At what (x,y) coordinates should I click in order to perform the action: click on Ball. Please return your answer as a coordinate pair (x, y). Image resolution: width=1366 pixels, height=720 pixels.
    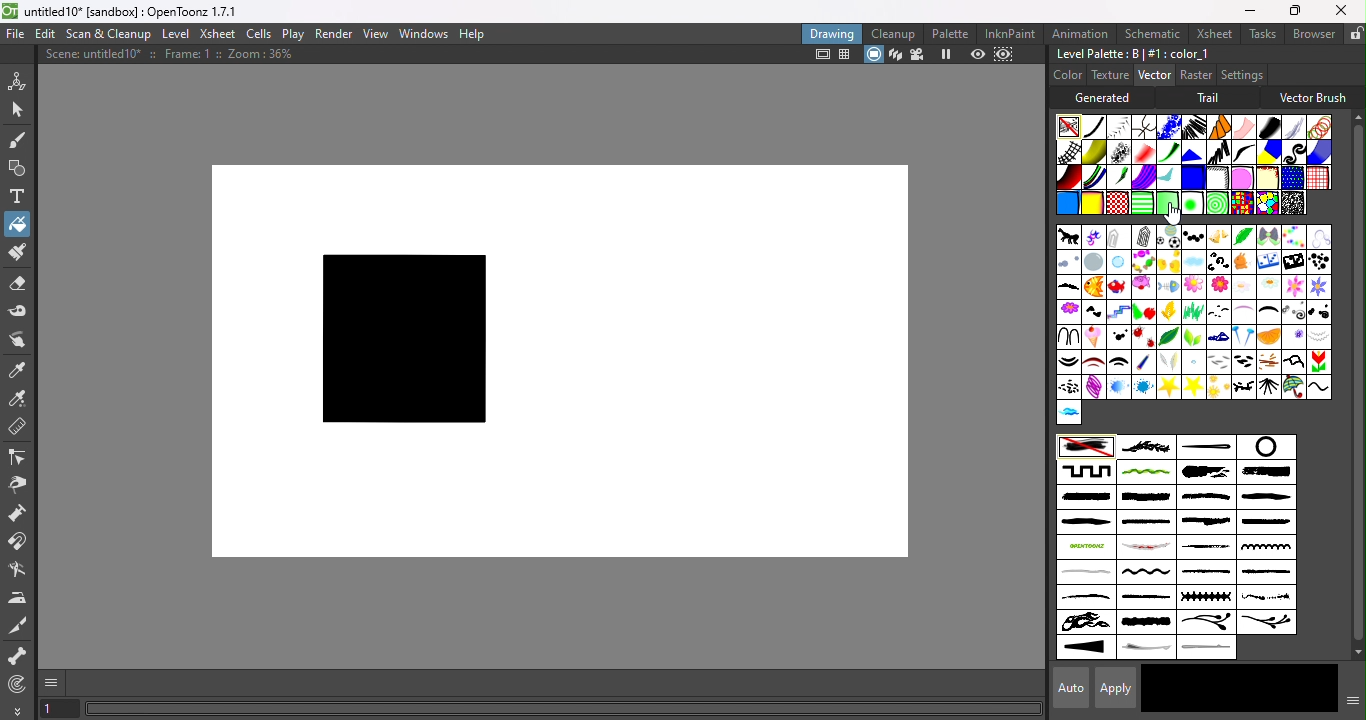
    Looking at the image, I should click on (1191, 237).